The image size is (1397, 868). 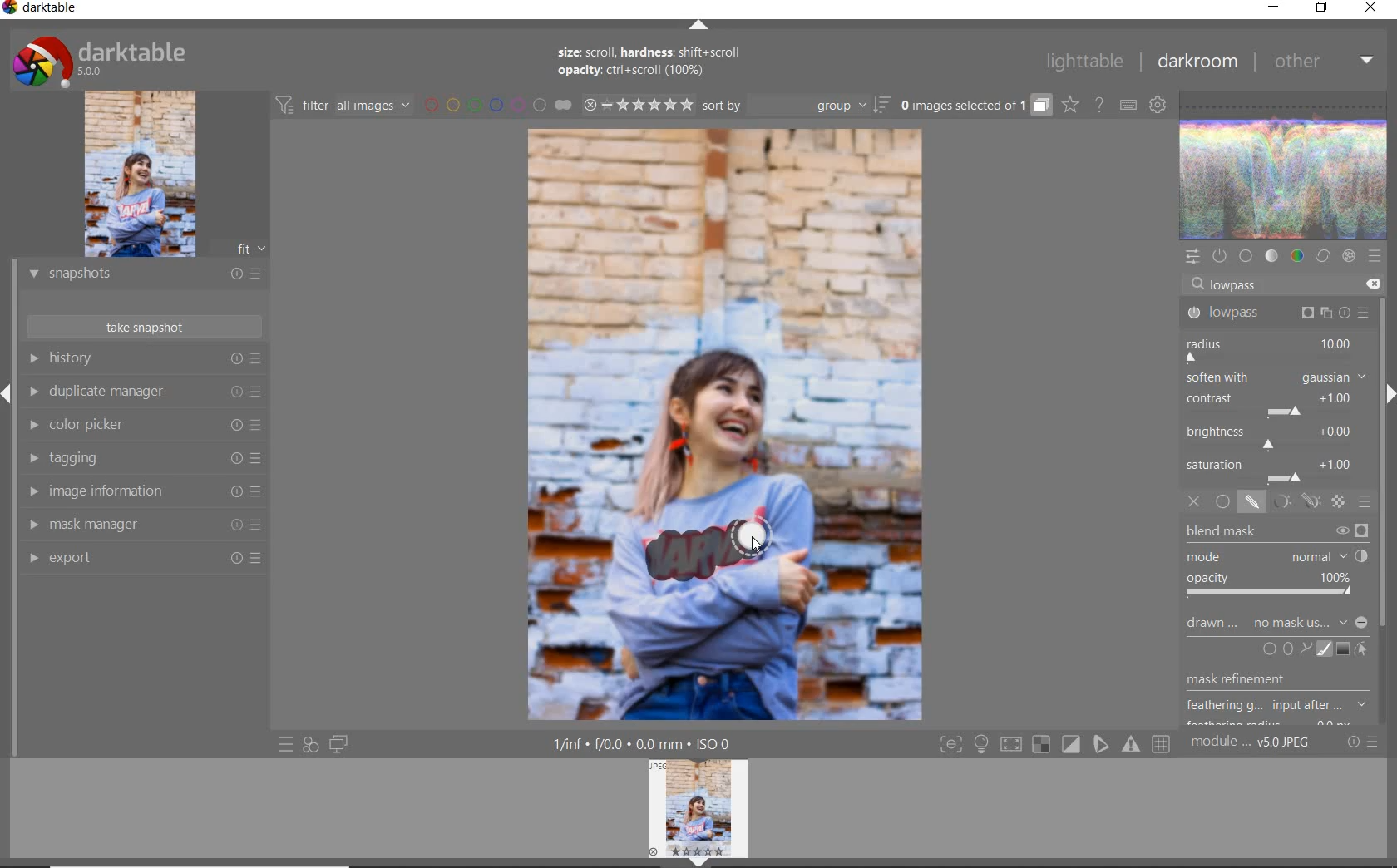 I want to click on tagging, so click(x=144, y=460).